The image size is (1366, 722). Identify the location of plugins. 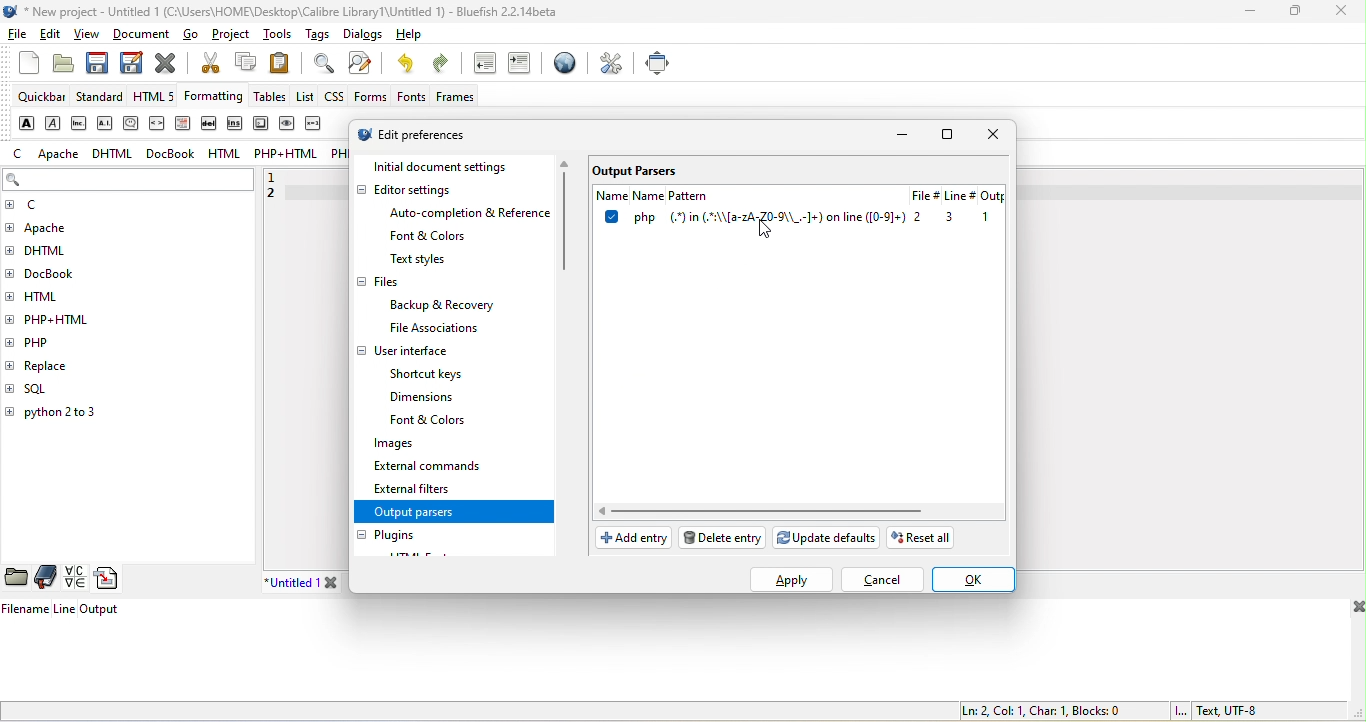
(394, 536).